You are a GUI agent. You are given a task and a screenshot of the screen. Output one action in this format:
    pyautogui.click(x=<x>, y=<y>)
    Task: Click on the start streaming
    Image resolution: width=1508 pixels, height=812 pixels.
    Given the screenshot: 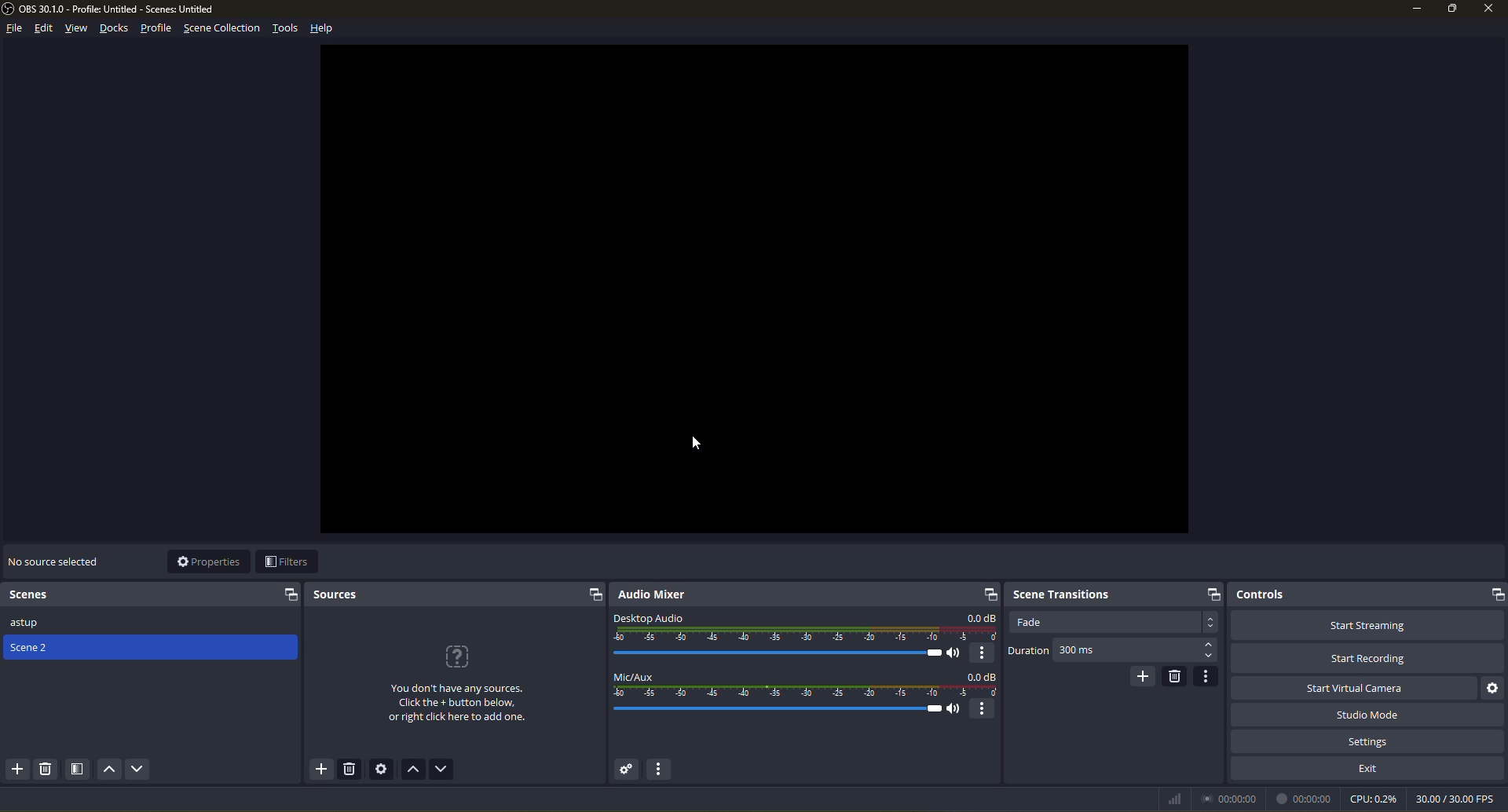 What is the action you would take?
    pyautogui.click(x=1370, y=624)
    